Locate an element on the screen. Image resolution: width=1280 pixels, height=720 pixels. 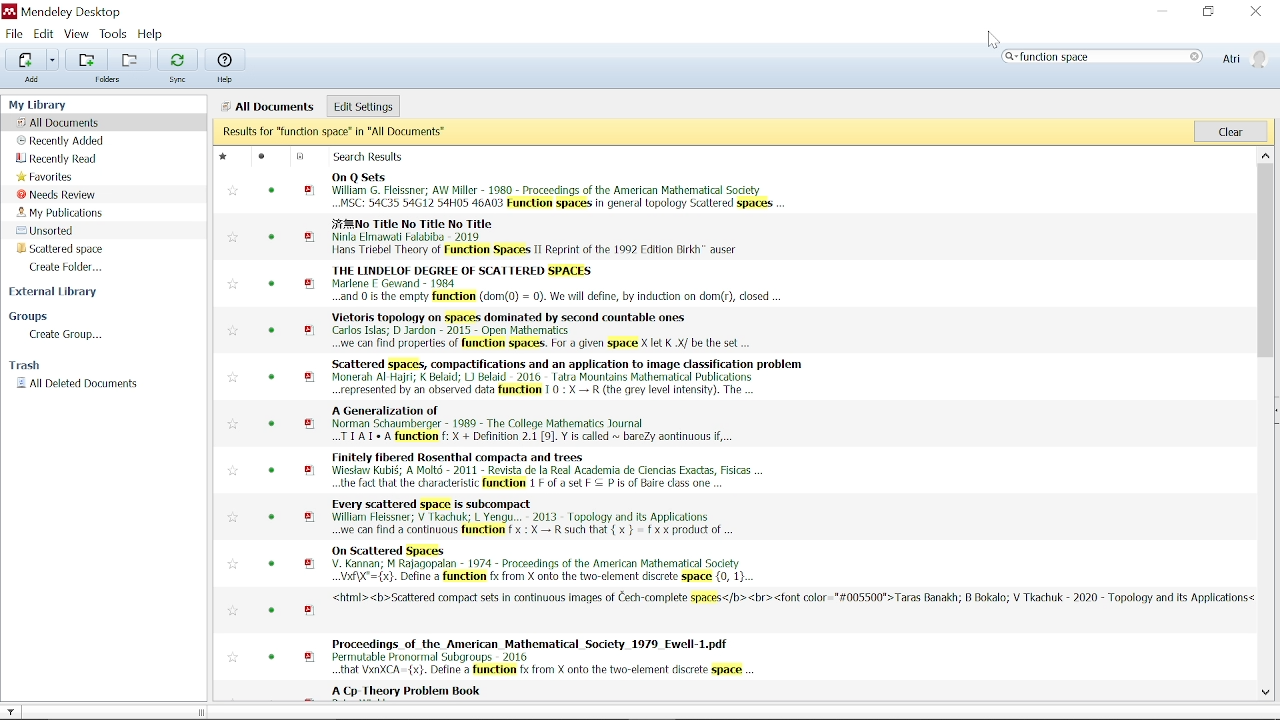
Remove folder is located at coordinates (133, 58).